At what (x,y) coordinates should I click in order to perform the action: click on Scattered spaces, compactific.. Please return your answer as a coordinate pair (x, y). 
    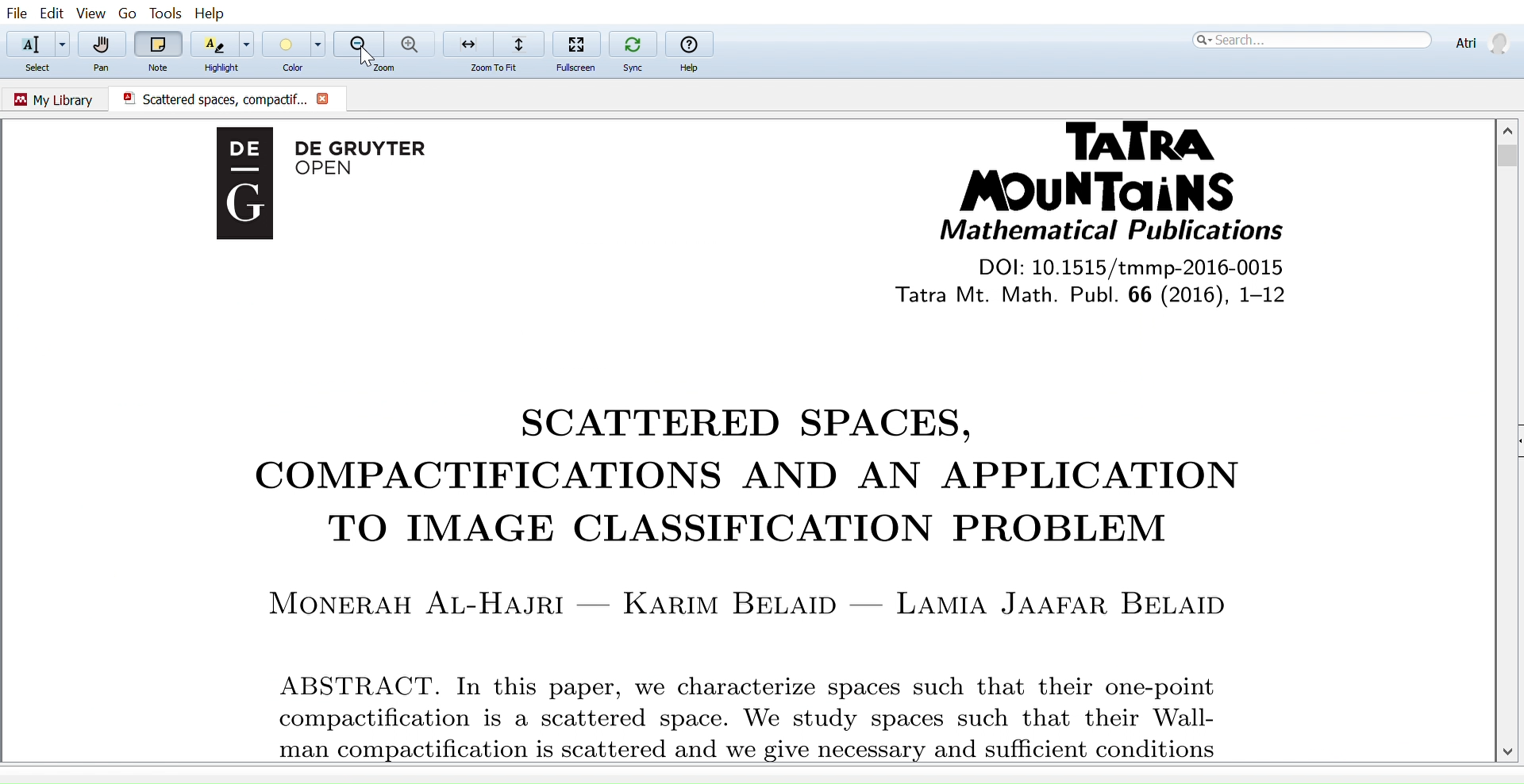
    Looking at the image, I should click on (208, 98).